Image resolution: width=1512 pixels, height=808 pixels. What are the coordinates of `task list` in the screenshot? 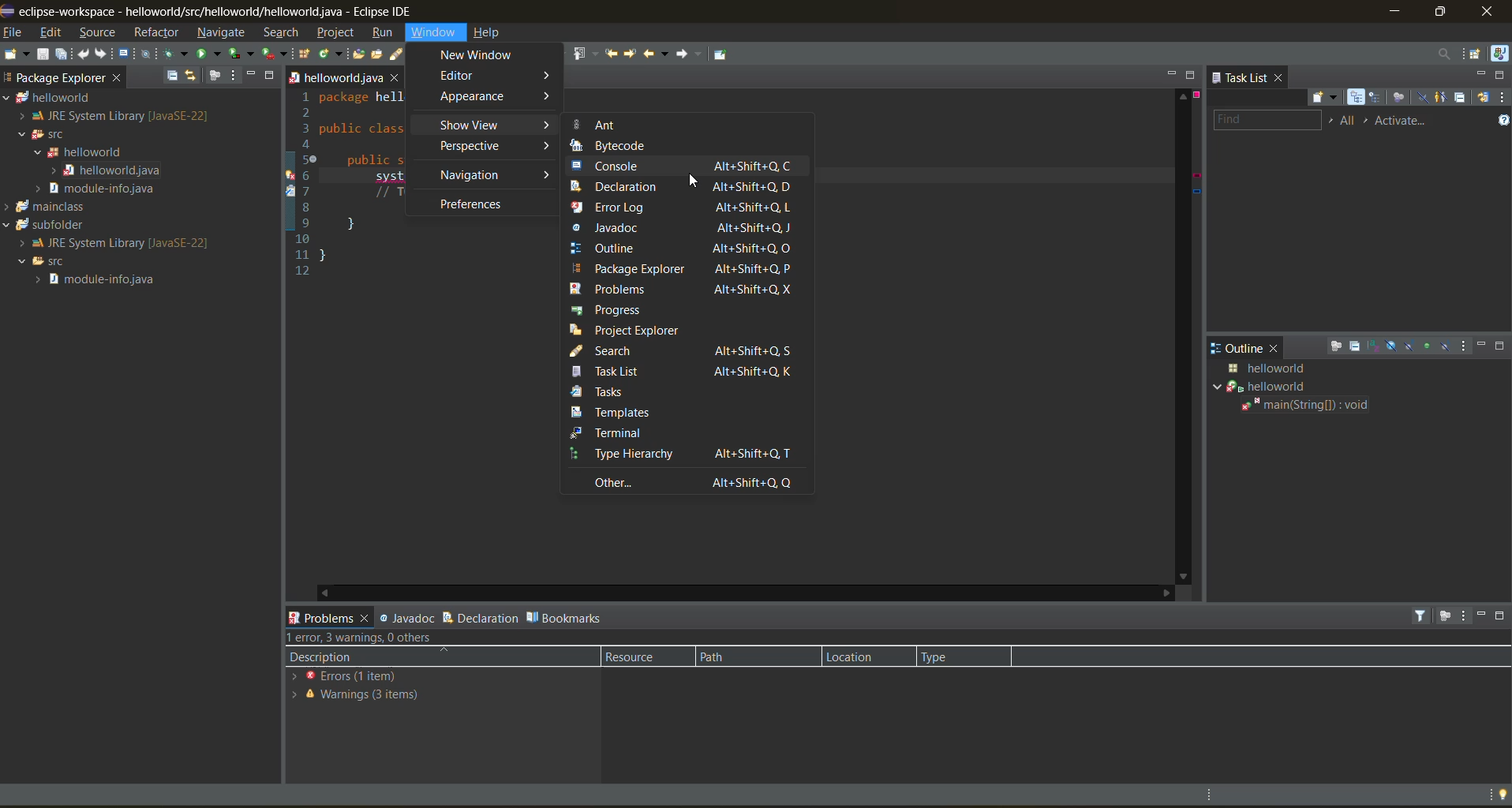 It's located at (1243, 77).